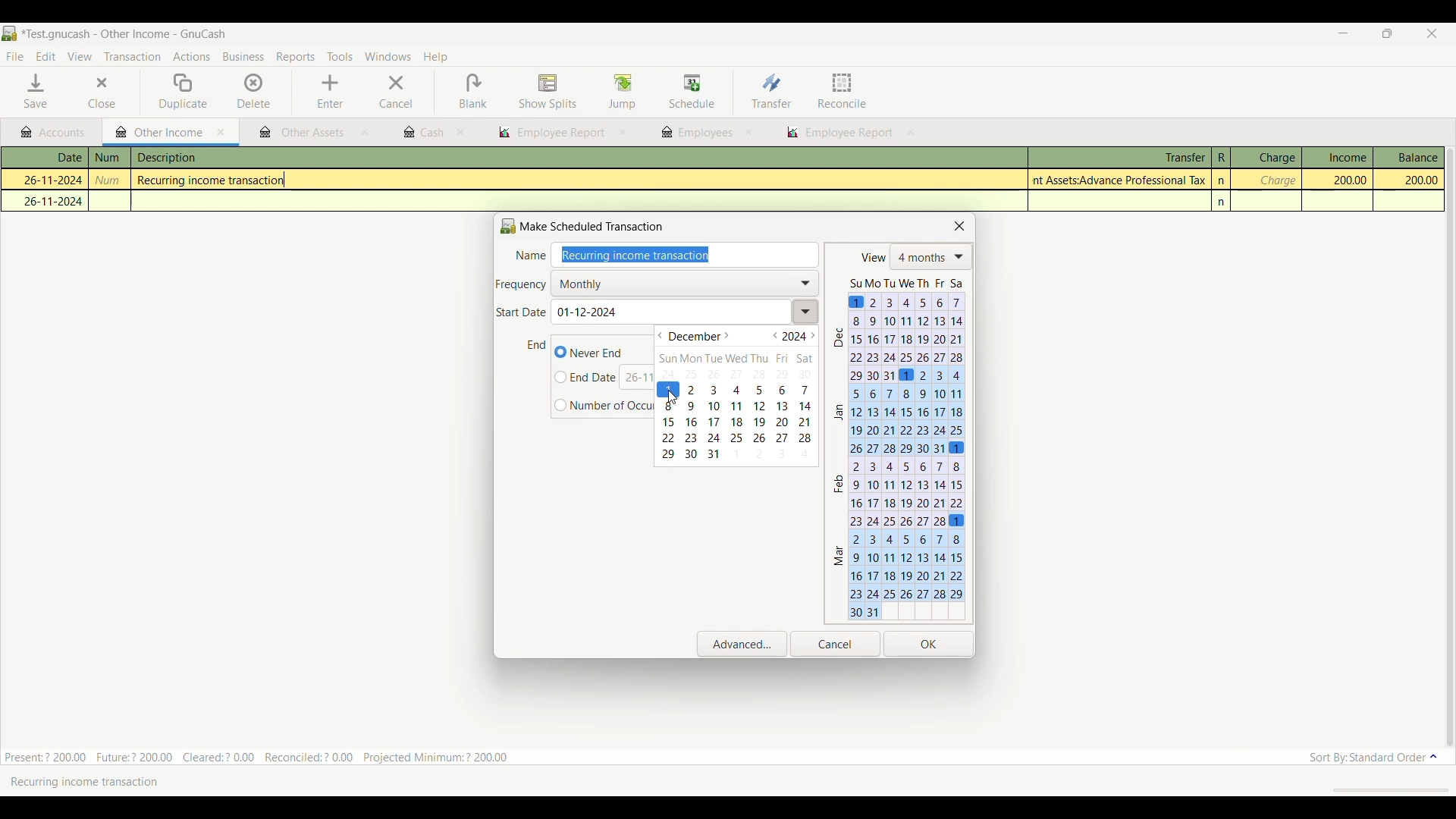 This screenshot has height=819, width=1456. What do you see at coordinates (588, 352) in the screenshot?
I see `Never end transaction, current selection` at bounding box center [588, 352].